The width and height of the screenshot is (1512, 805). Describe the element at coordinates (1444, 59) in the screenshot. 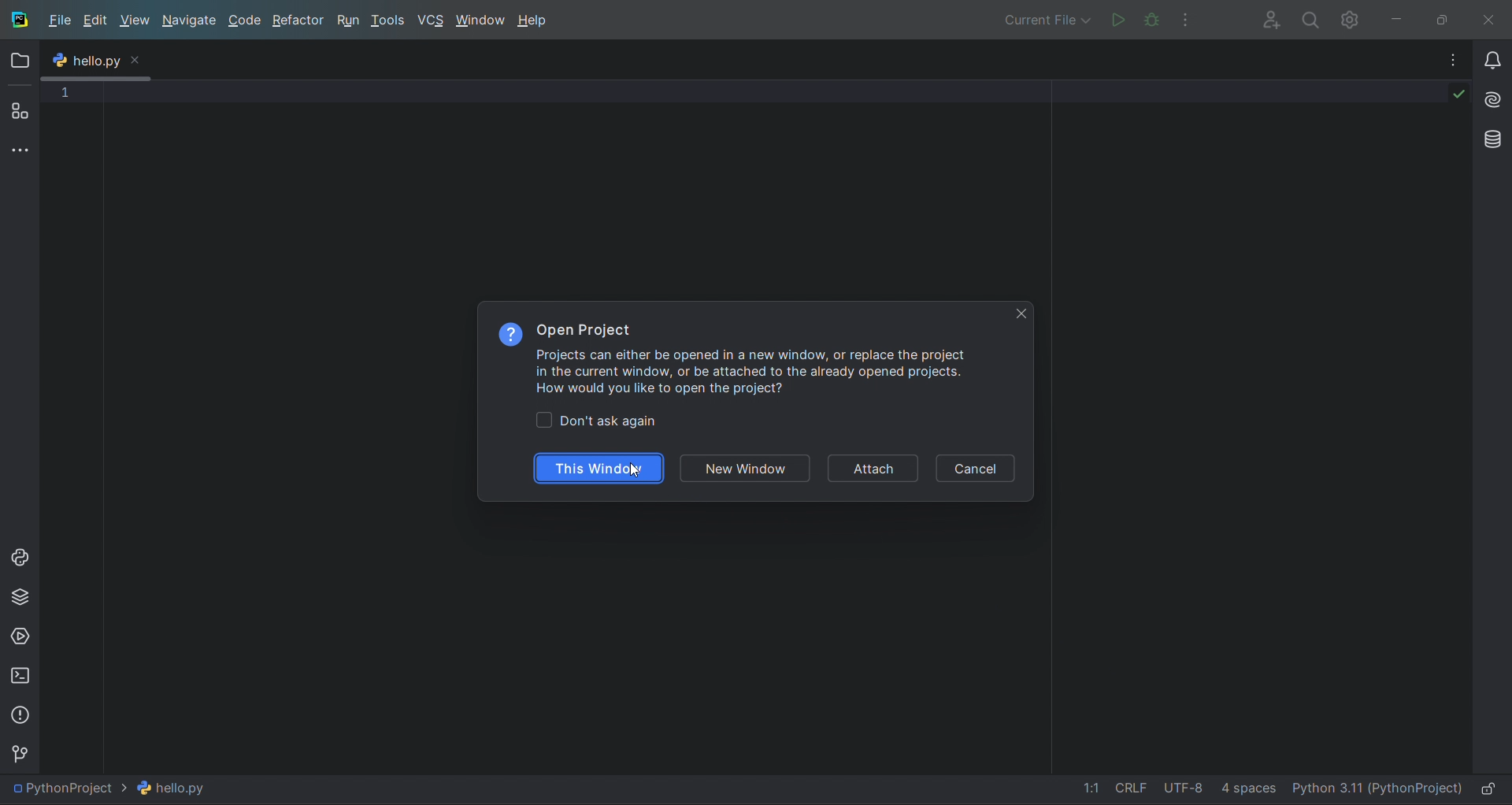

I see `options` at that location.